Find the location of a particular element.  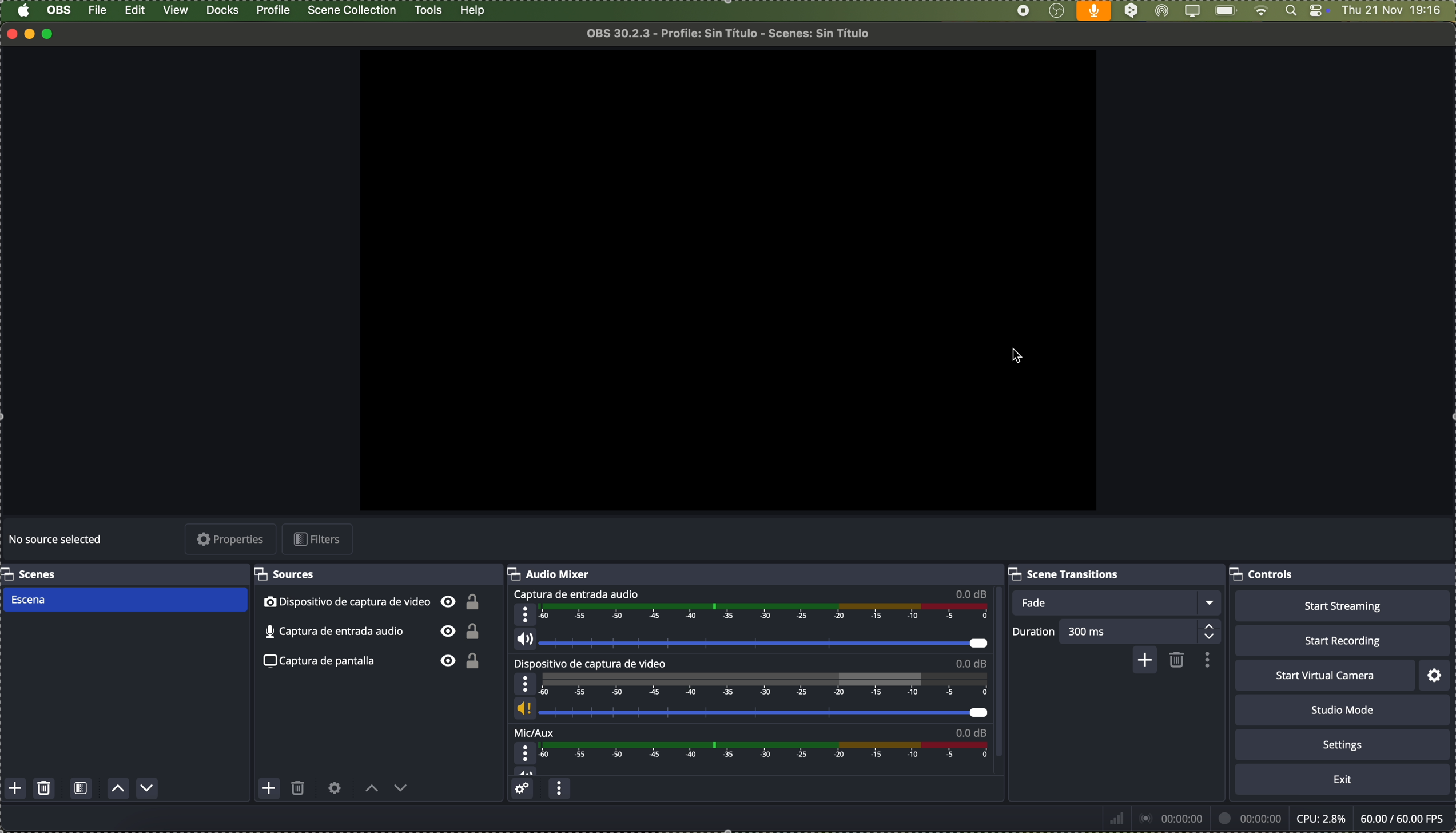

Mic/Aux is located at coordinates (747, 752).